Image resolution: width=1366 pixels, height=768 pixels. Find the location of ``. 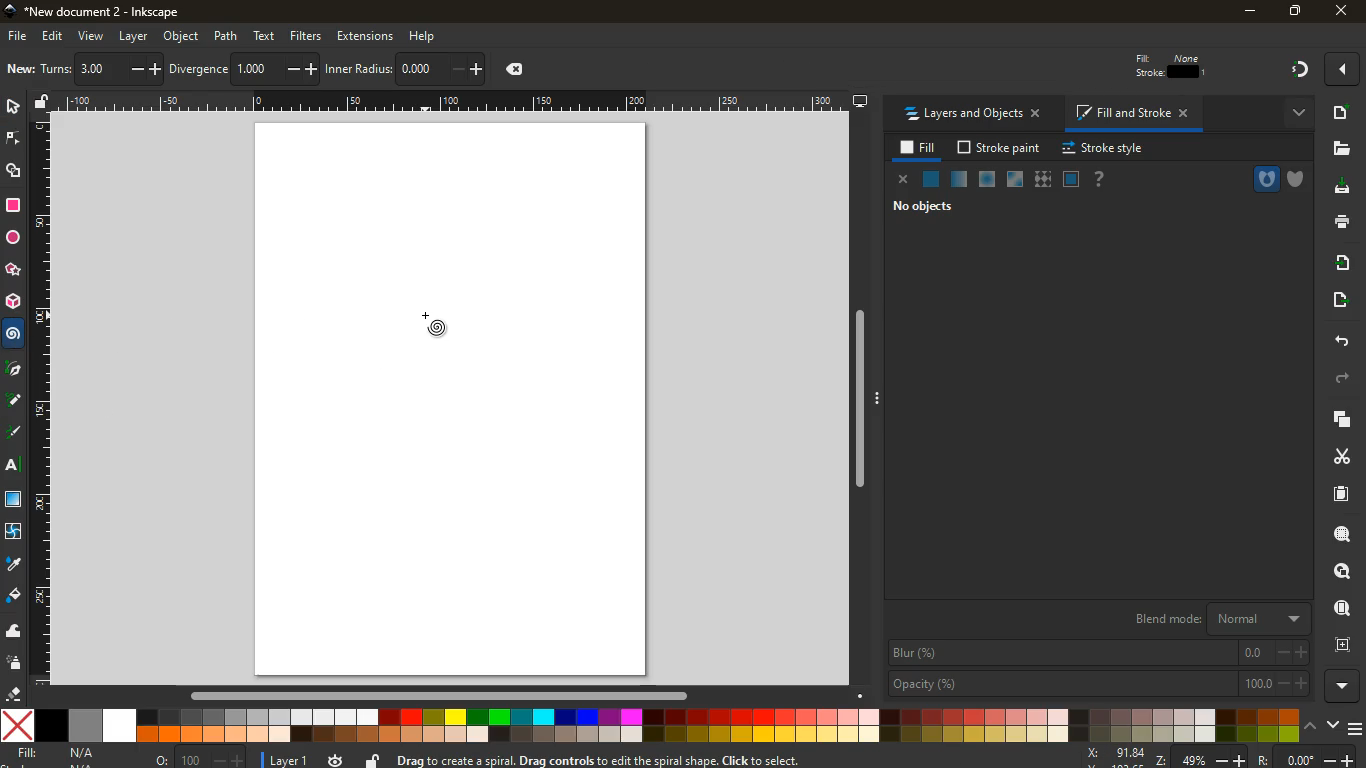

 is located at coordinates (15, 369).